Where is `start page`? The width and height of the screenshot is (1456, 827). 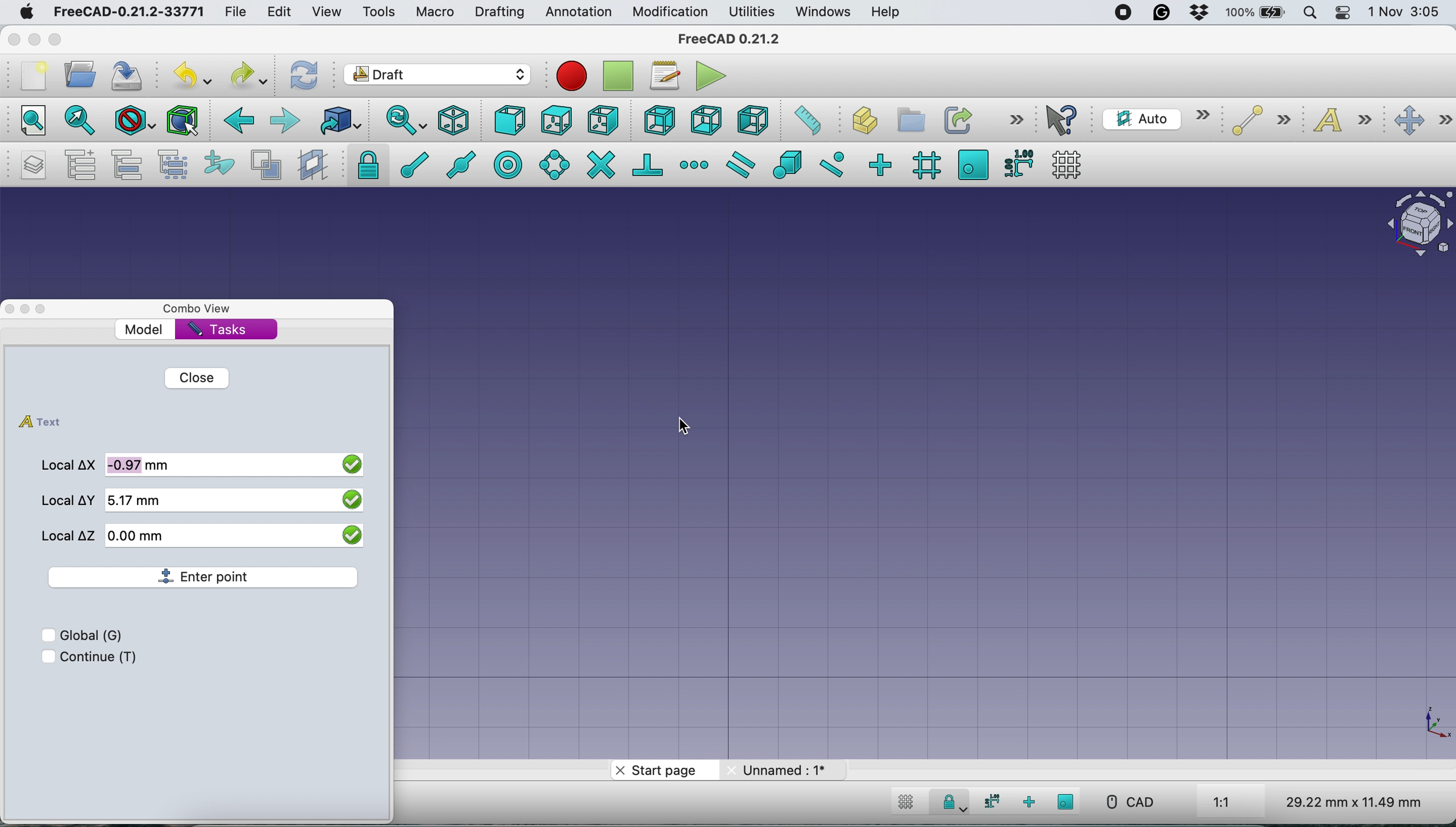 start page is located at coordinates (652, 768).